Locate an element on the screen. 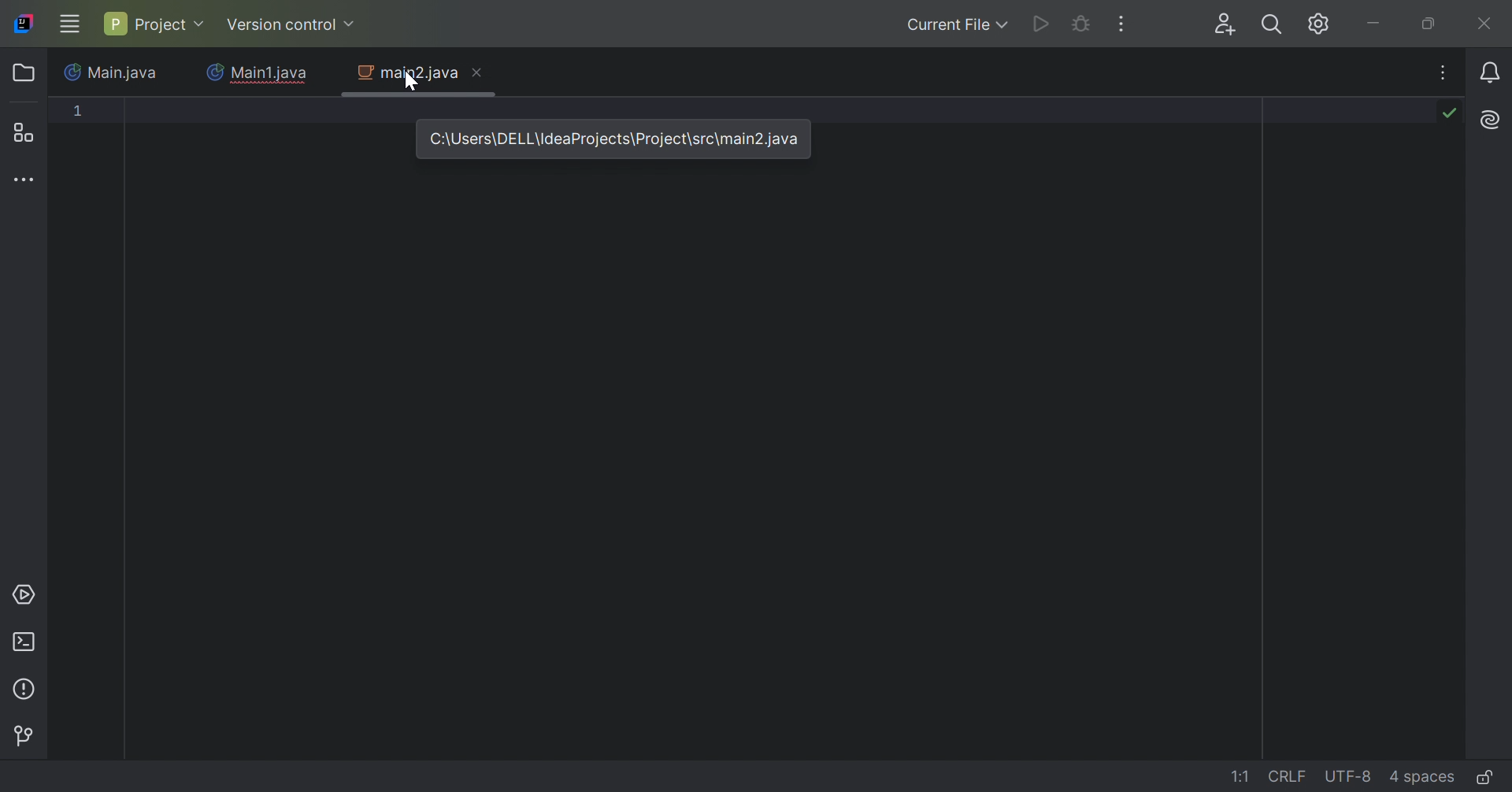 This screenshot has height=792, width=1512. IntelliJ IDEA icon is located at coordinates (28, 24).